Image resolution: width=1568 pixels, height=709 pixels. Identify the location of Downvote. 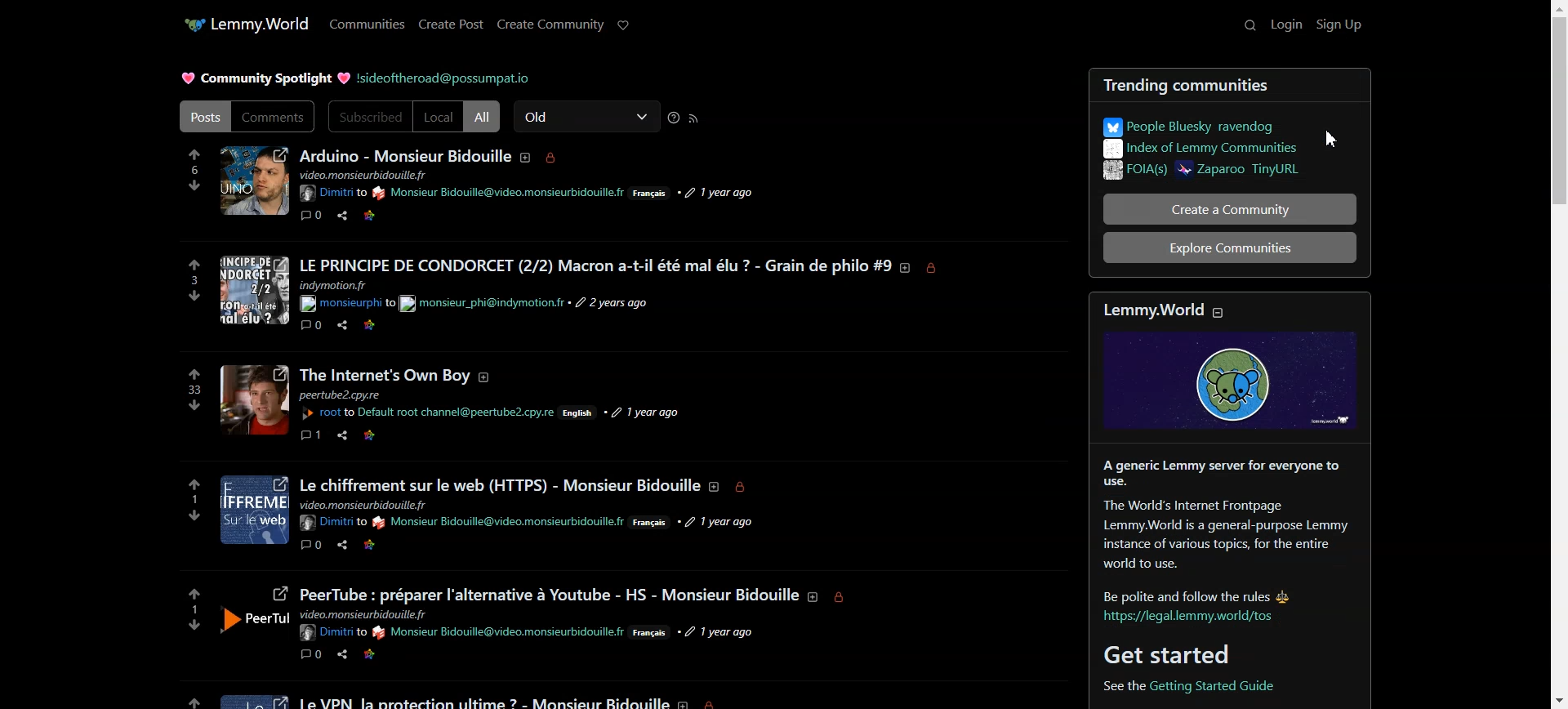
(195, 185).